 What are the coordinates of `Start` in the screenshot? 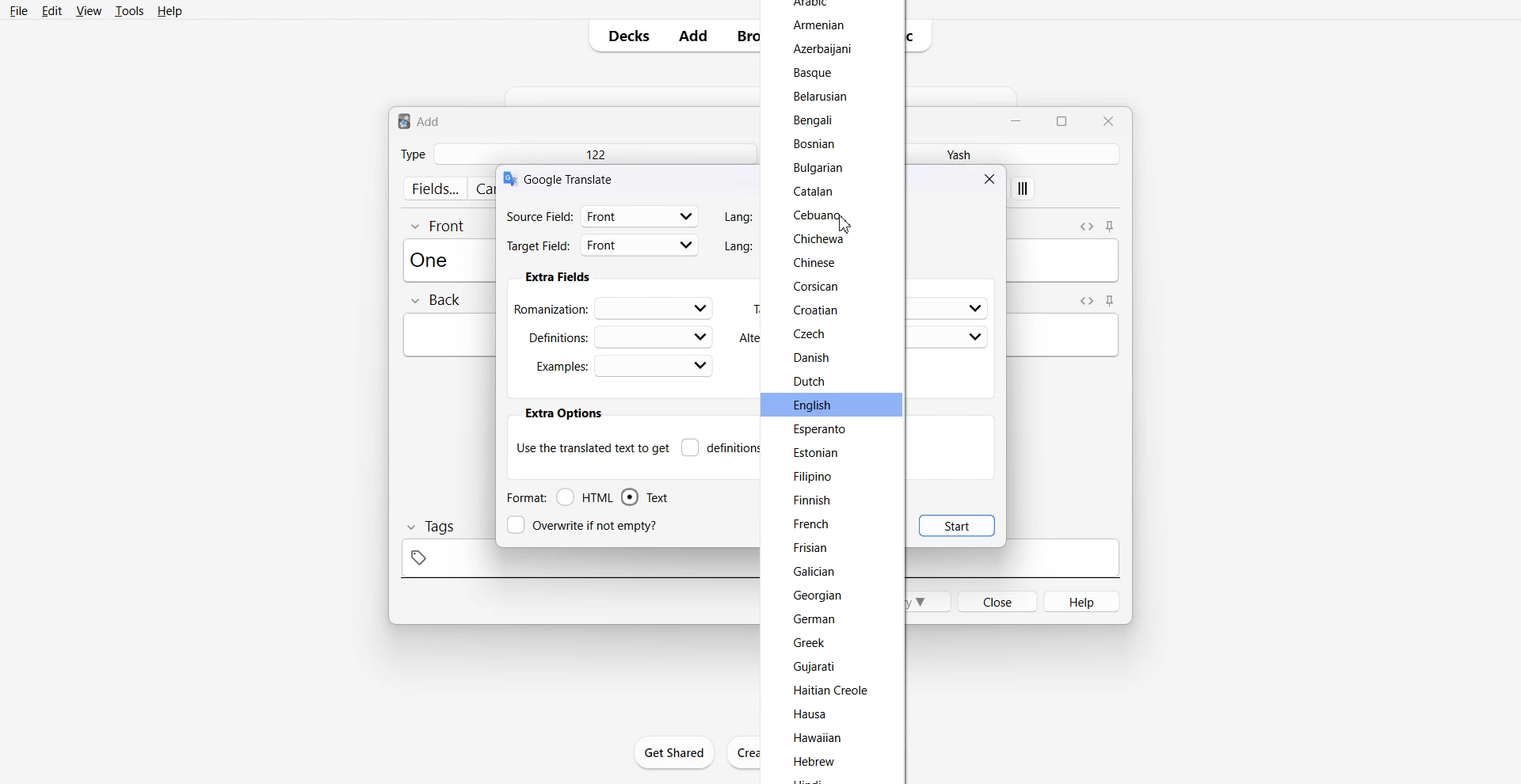 It's located at (957, 525).